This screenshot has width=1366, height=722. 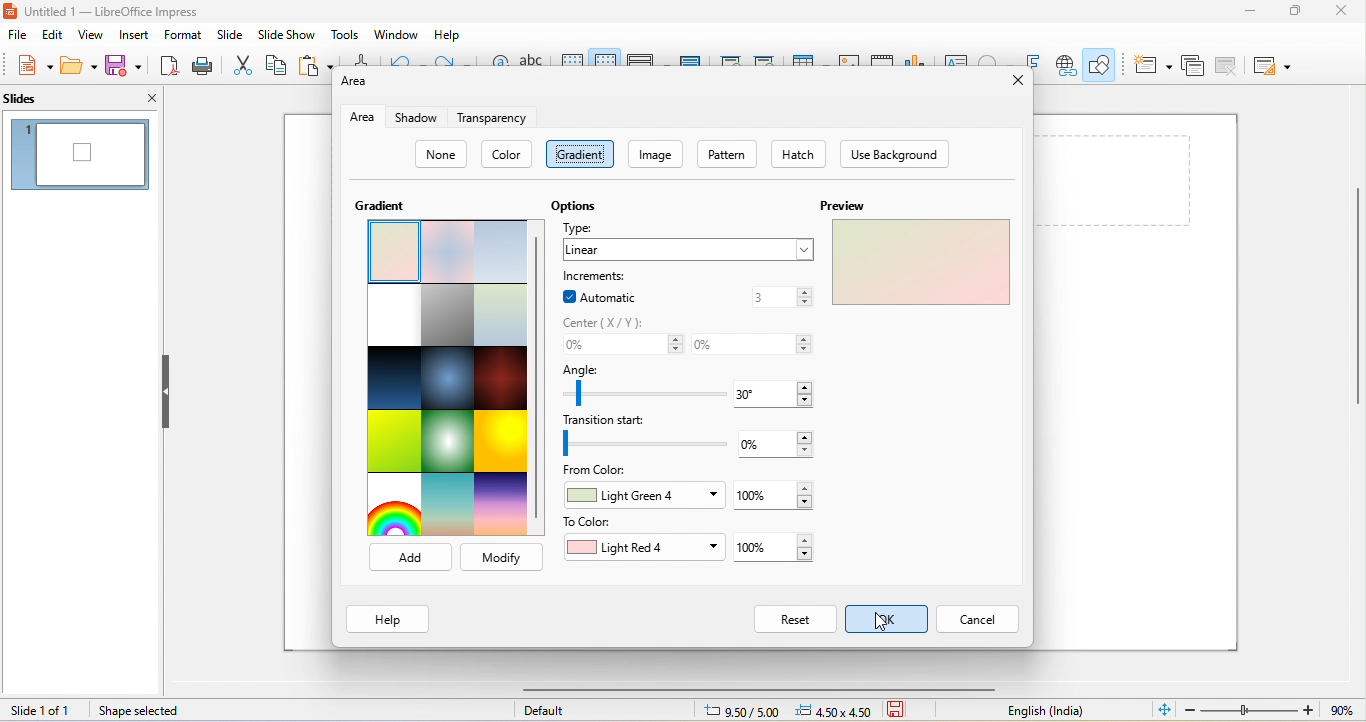 What do you see at coordinates (553, 710) in the screenshot?
I see `default` at bounding box center [553, 710].